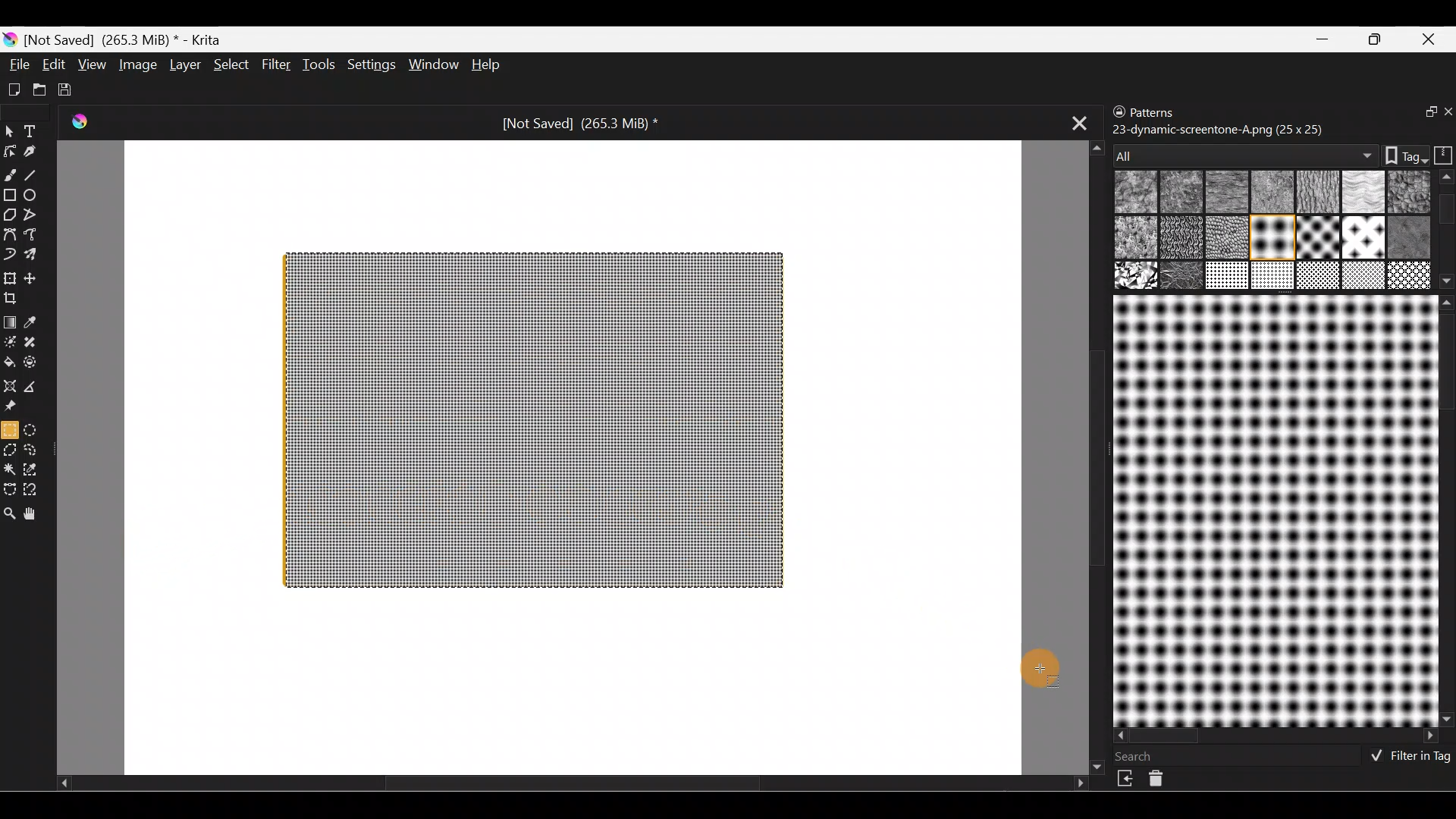 The width and height of the screenshot is (1456, 819). I want to click on 19 texture_crackle.png, so click(1363, 275).